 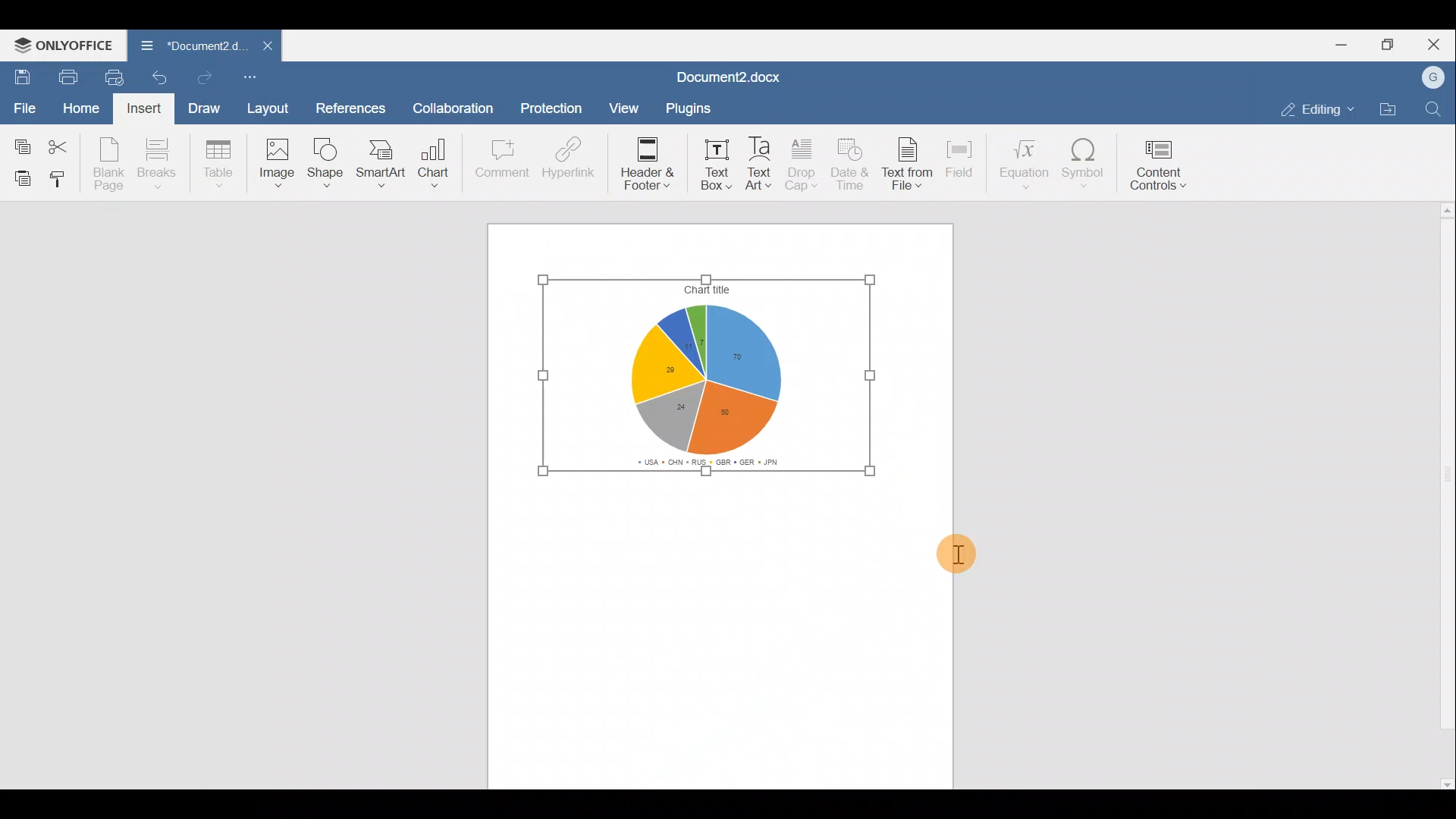 I want to click on Scroll bar, so click(x=1441, y=497).